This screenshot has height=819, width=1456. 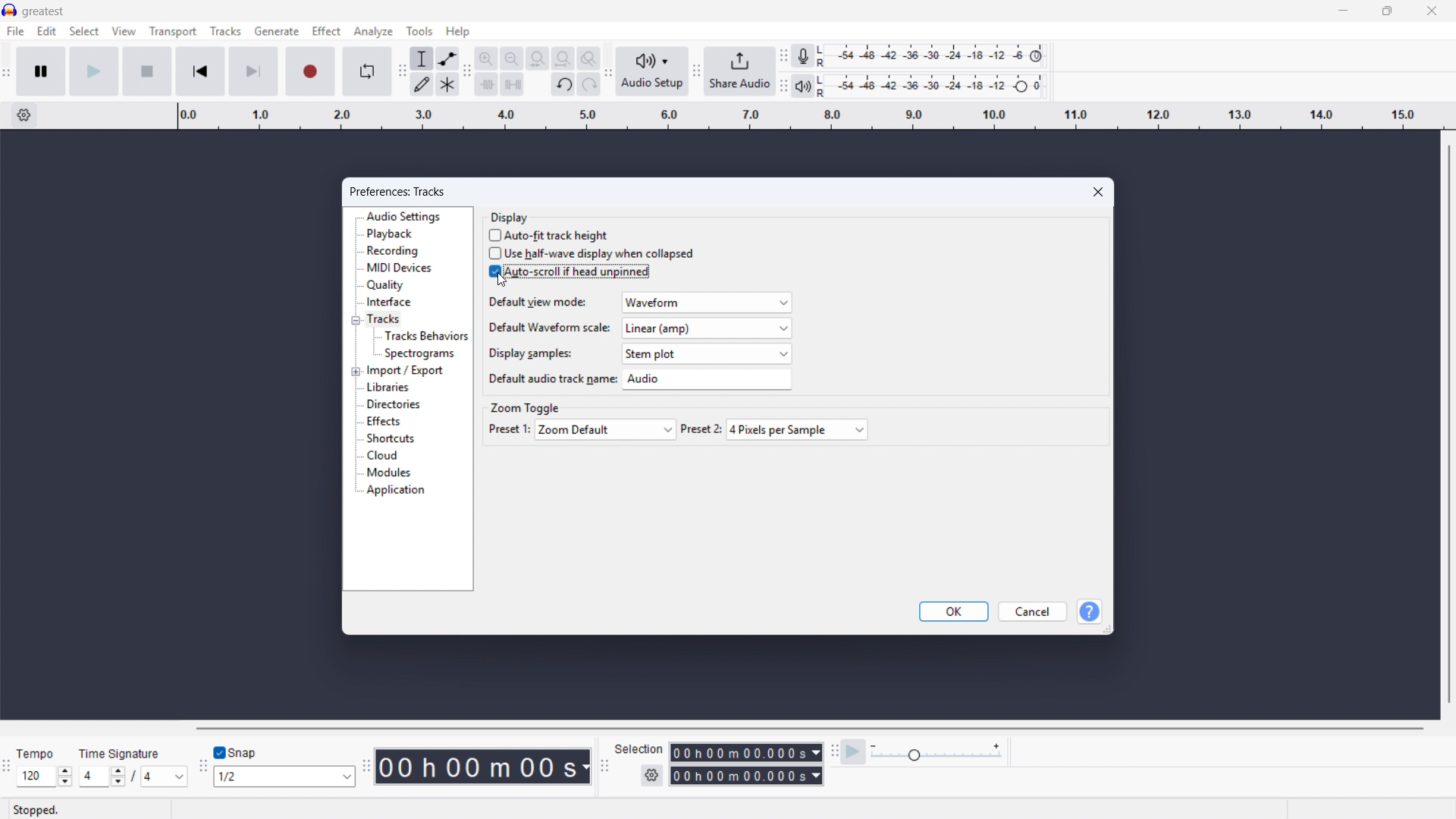 I want to click on Pause , so click(x=42, y=71).